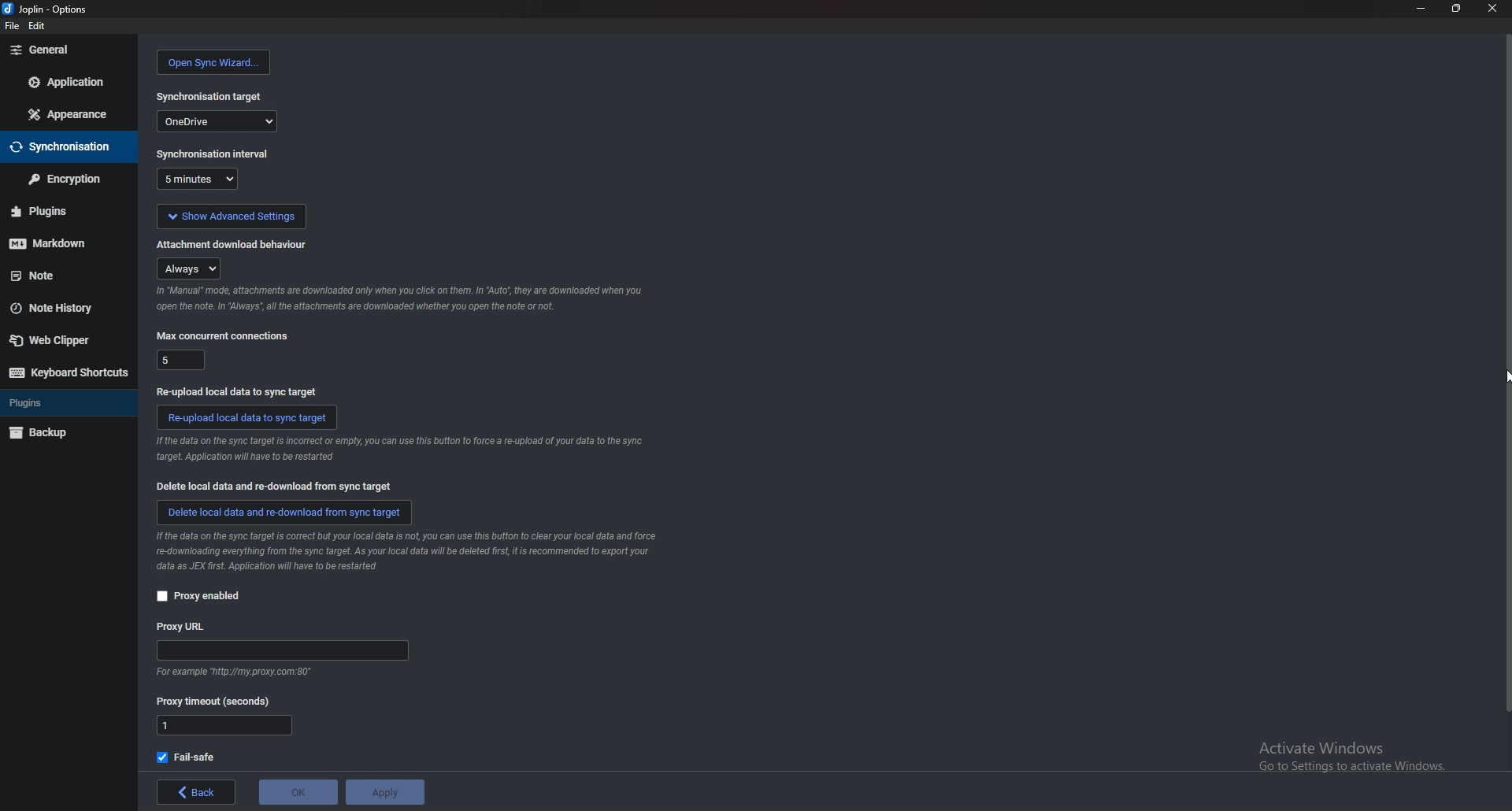  What do you see at coordinates (68, 373) in the screenshot?
I see `keyboard shortcuts` at bounding box center [68, 373].